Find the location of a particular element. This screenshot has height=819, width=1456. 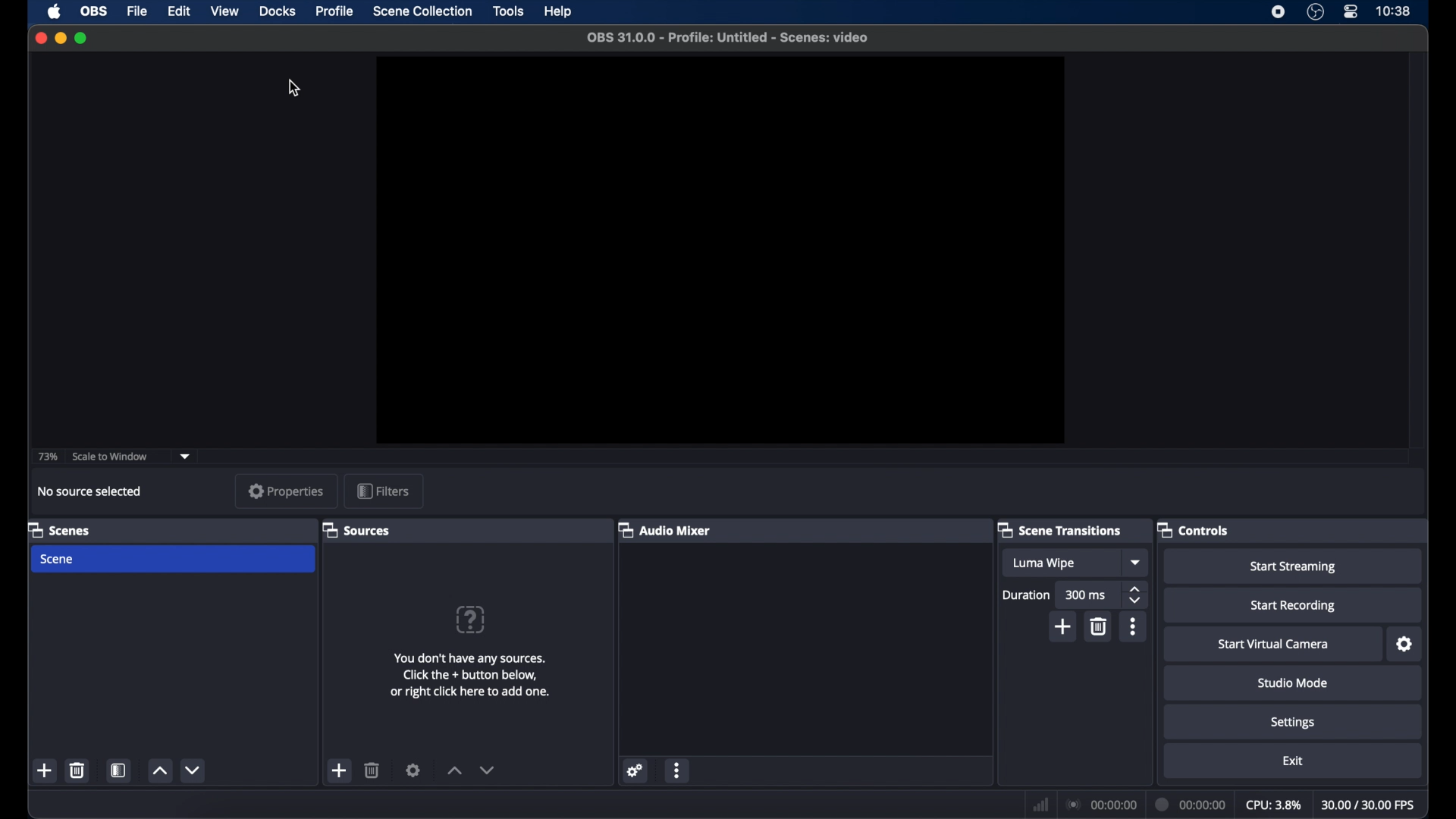

profile is located at coordinates (335, 11).